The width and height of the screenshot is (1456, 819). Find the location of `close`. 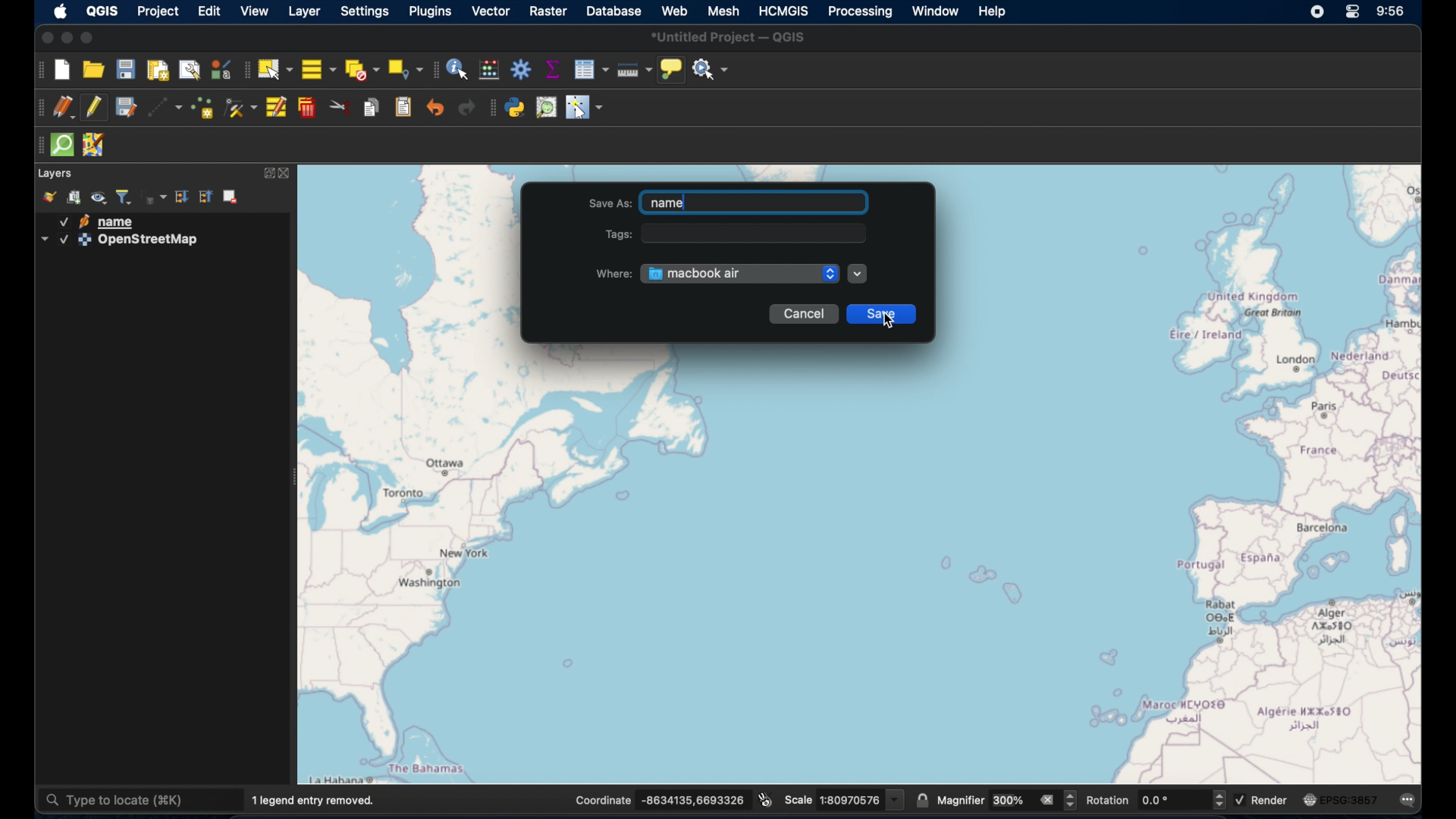

close is located at coordinates (46, 38).